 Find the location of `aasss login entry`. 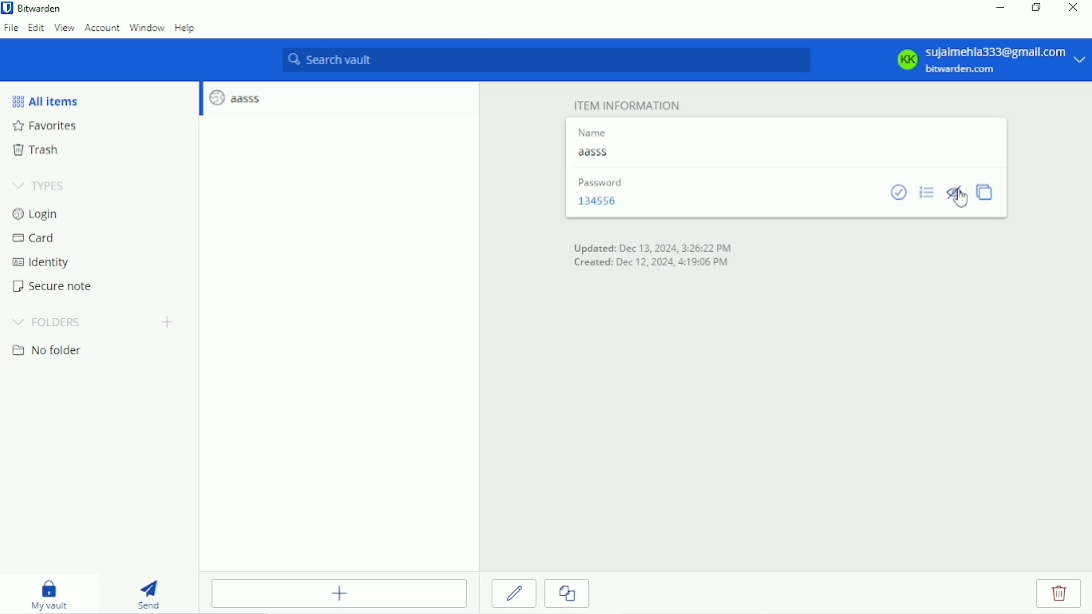

aasss login entry is located at coordinates (235, 100).